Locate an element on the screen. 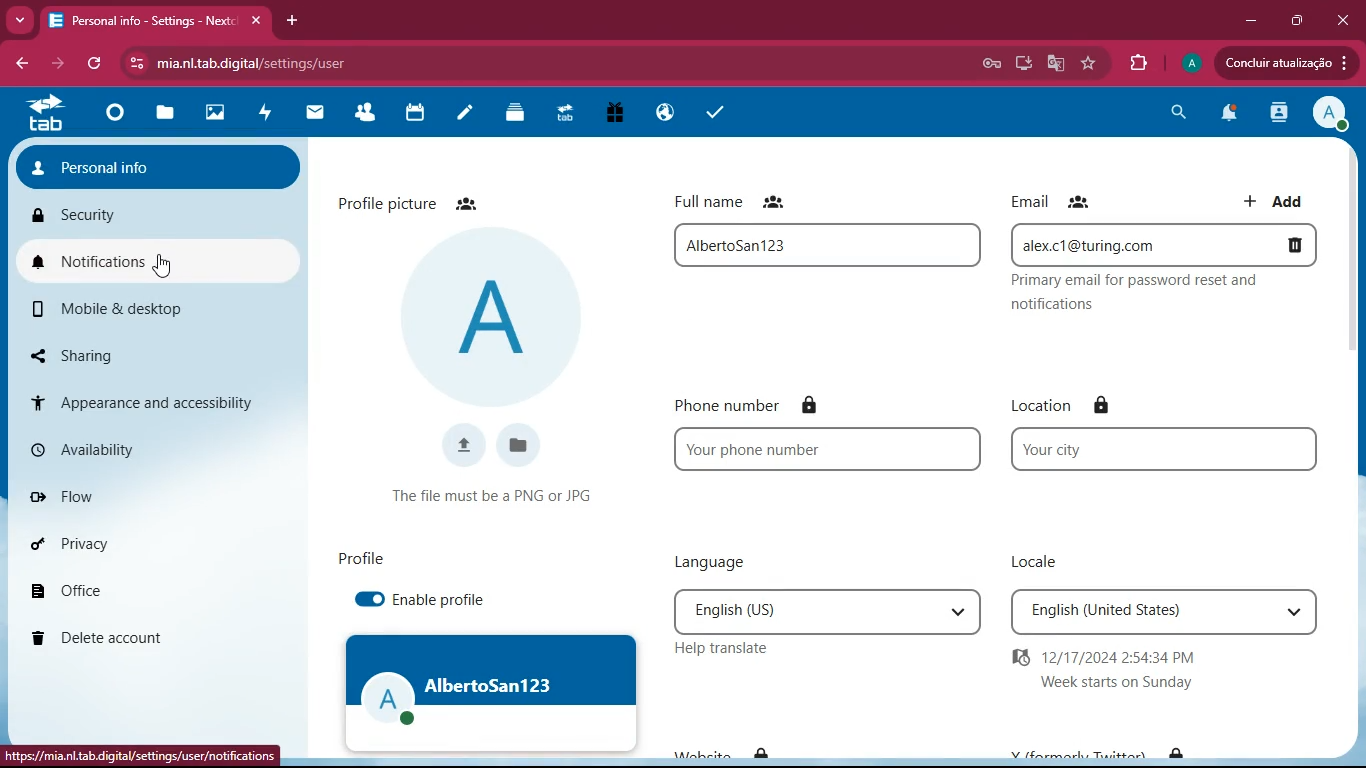 This screenshot has width=1366, height=768. maximize is located at coordinates (1296, 21).